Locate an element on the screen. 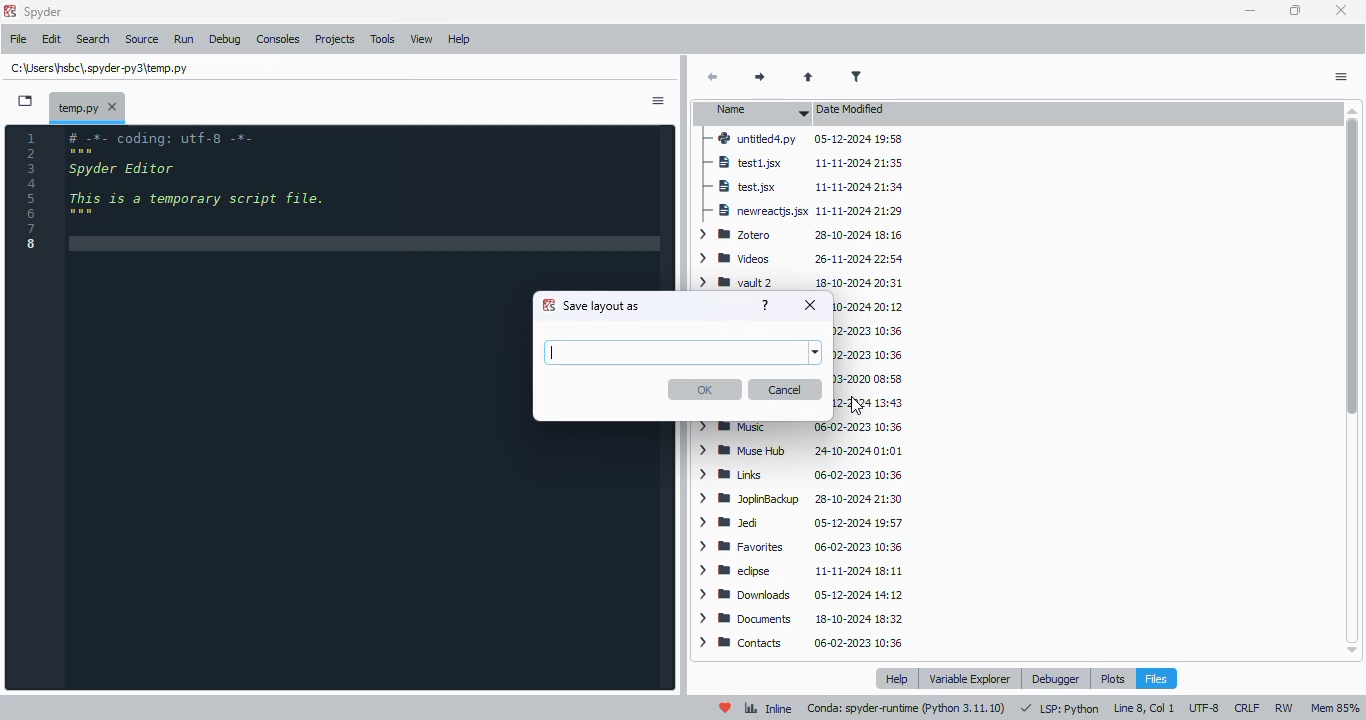 Image resolution: width=1366 pixels, height=720 pixels. variable explorer is located at coordinates (970, 678).